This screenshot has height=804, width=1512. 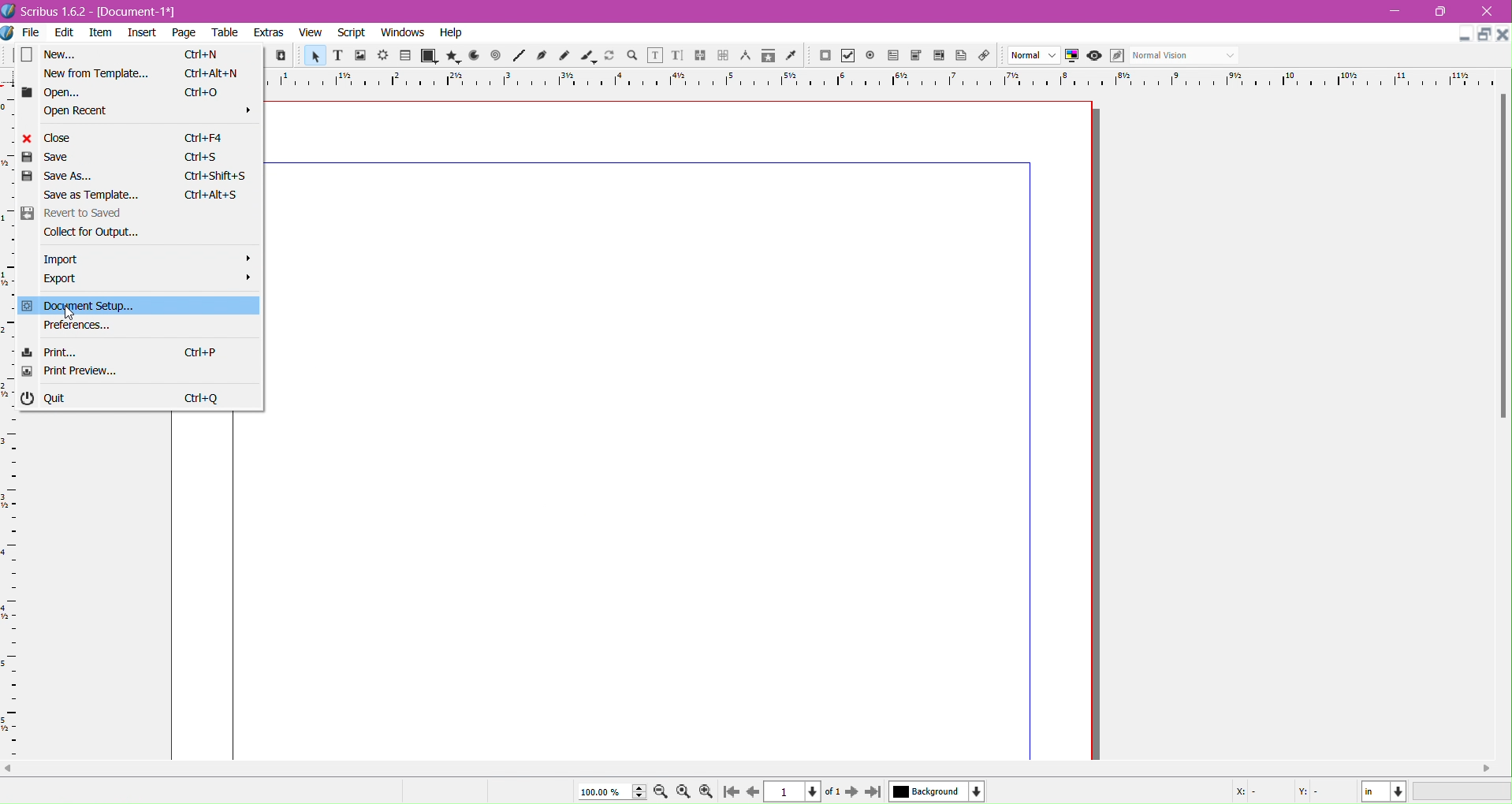 I want to click on app icon, so click(x=9, y=33).